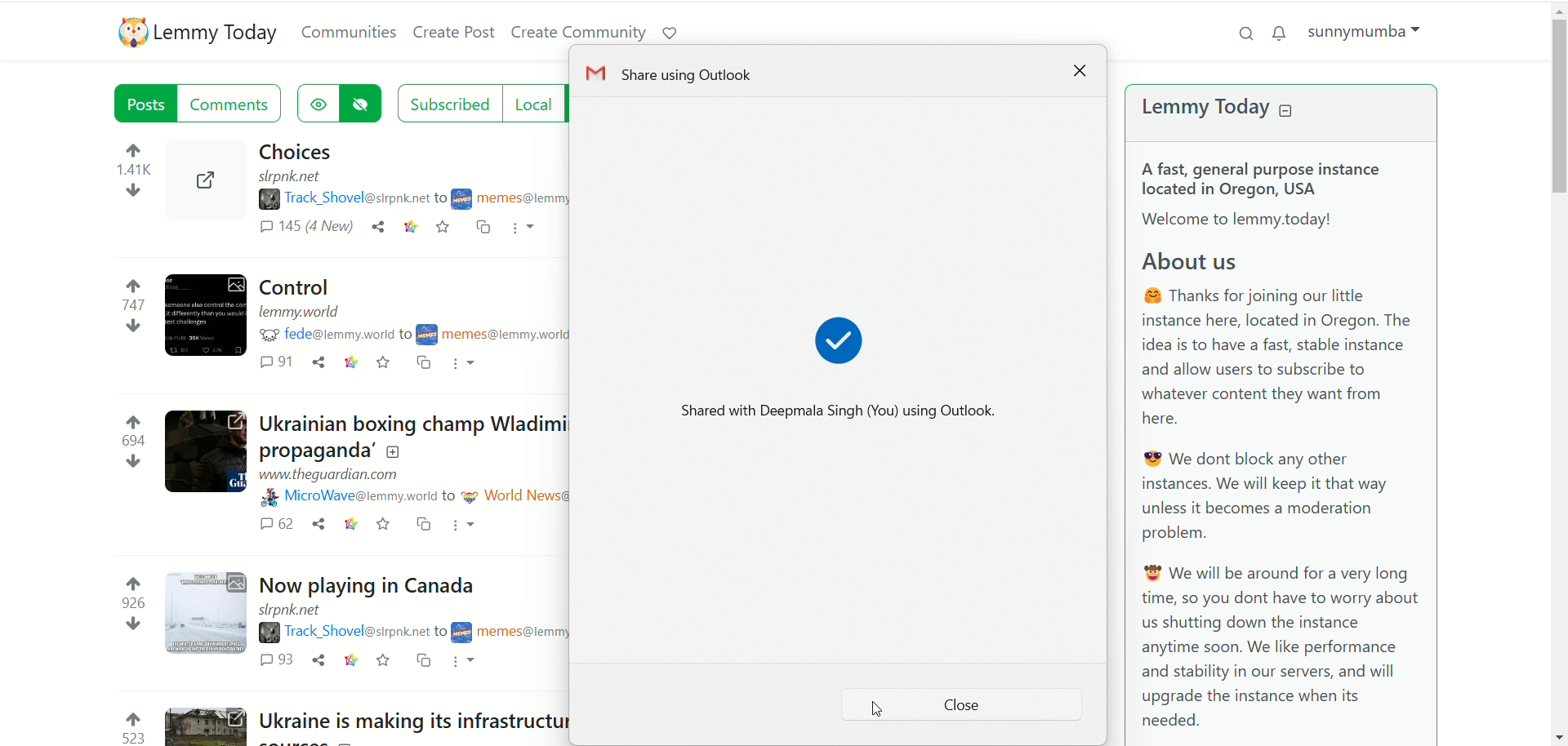 This screenshot has width=1568, height=746. I want to click on local, so click(532, 102).